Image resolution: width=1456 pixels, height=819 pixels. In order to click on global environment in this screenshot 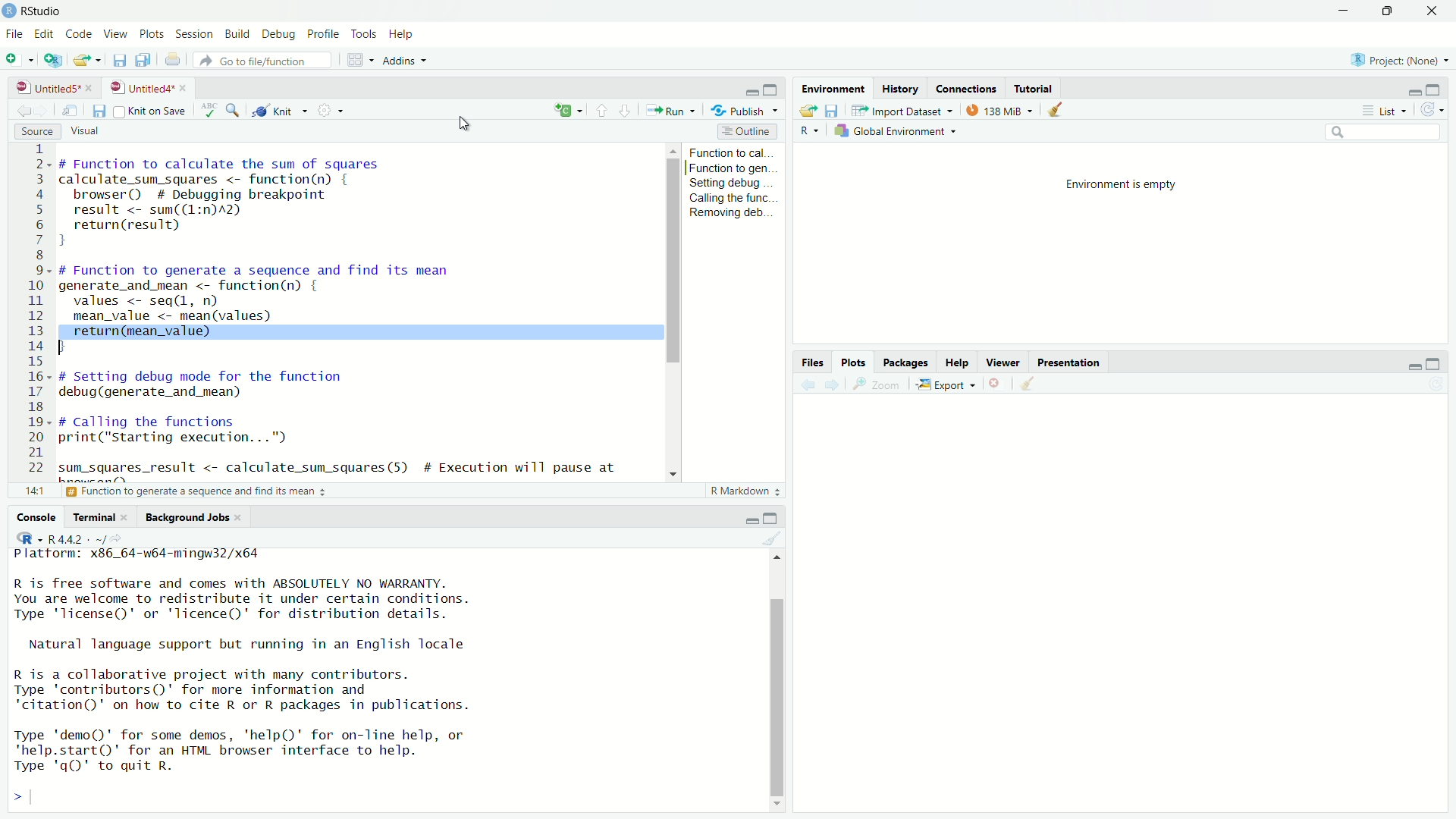, I will do `click(899, 133)`.